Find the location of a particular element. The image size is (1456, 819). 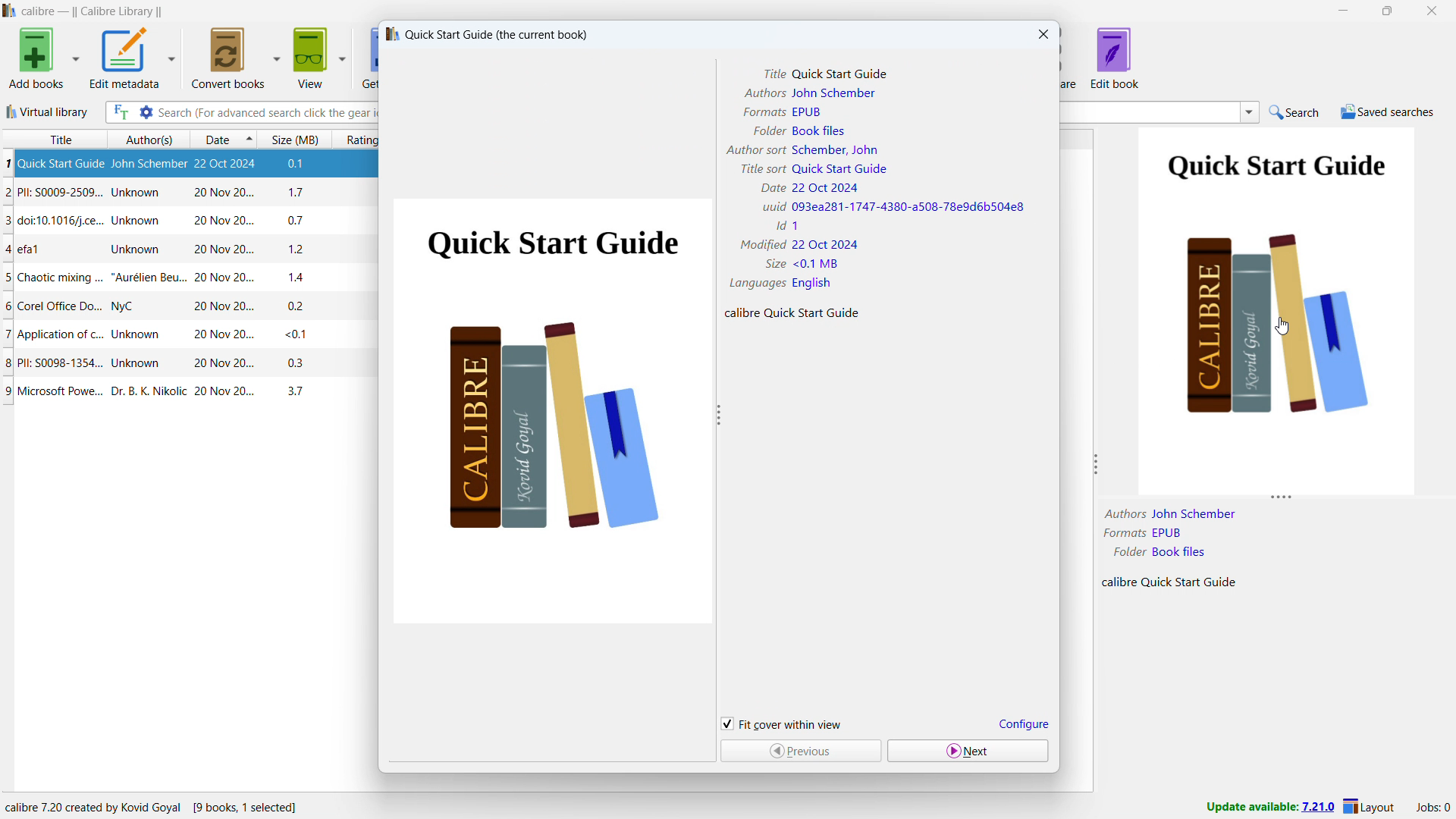

Vivid is located at coordinates (770, 206).